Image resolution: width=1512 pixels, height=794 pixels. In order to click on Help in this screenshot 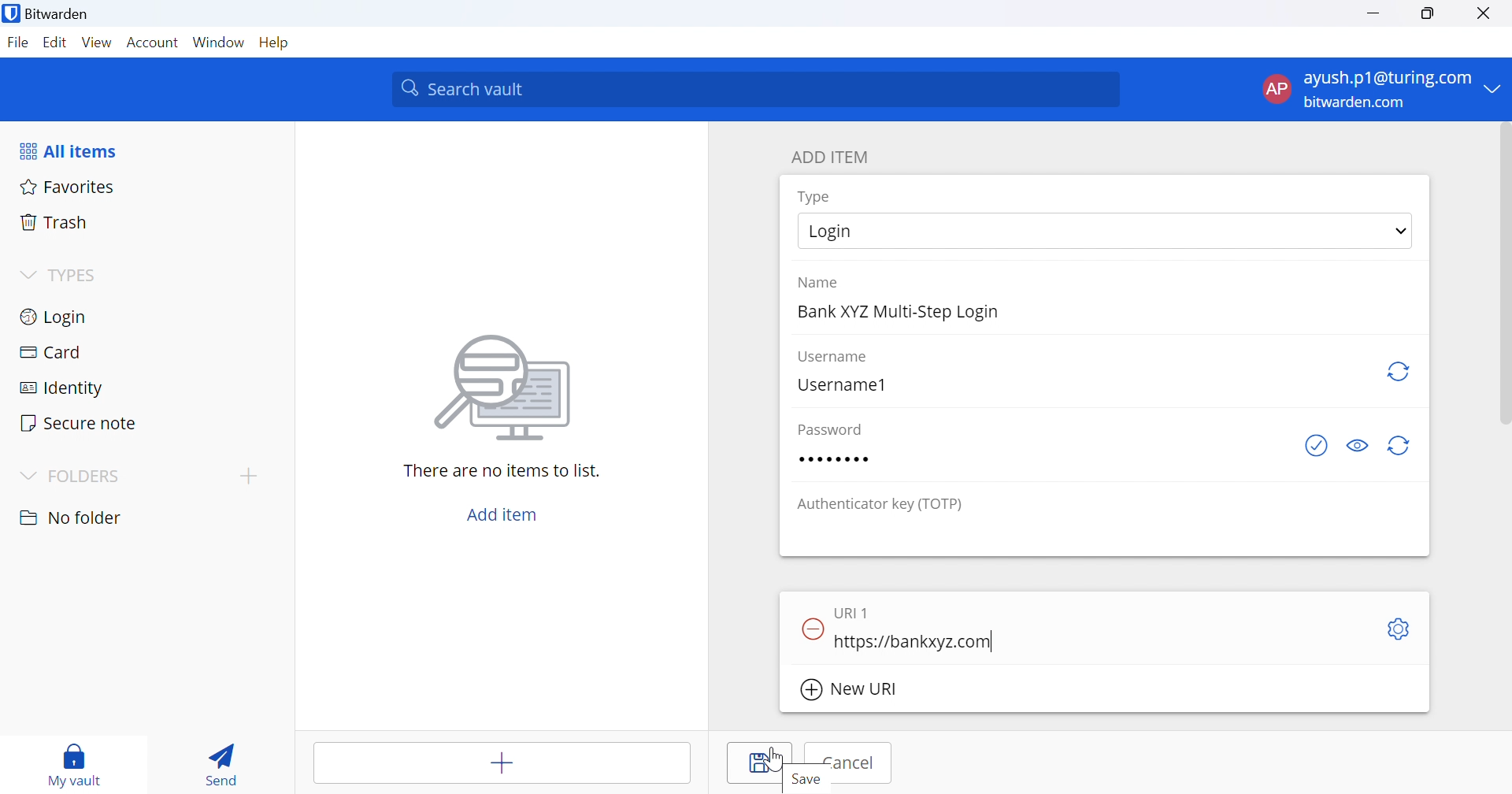, I will do `click(275, 44)`.